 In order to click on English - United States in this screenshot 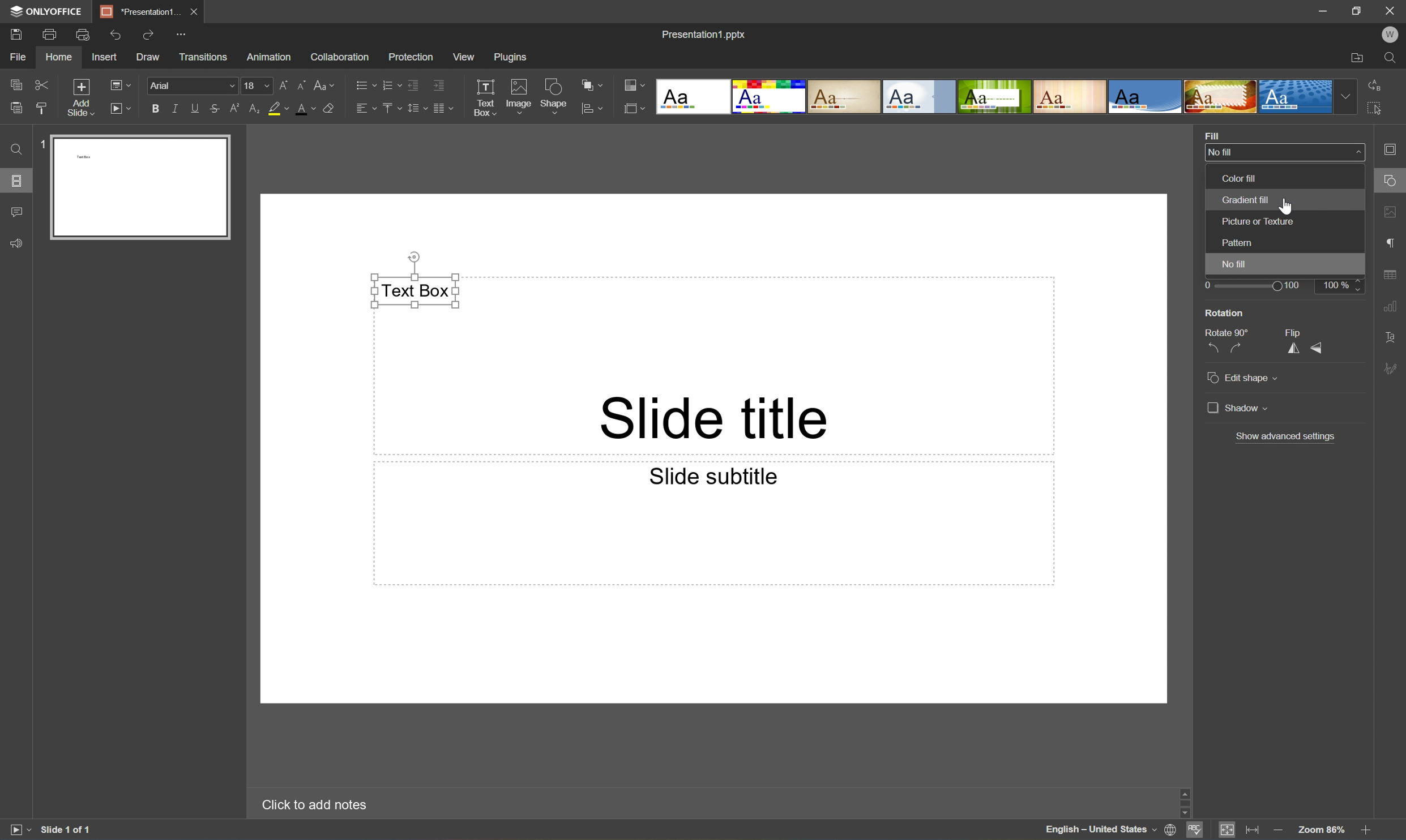, I will do `click(1097, 830)`.